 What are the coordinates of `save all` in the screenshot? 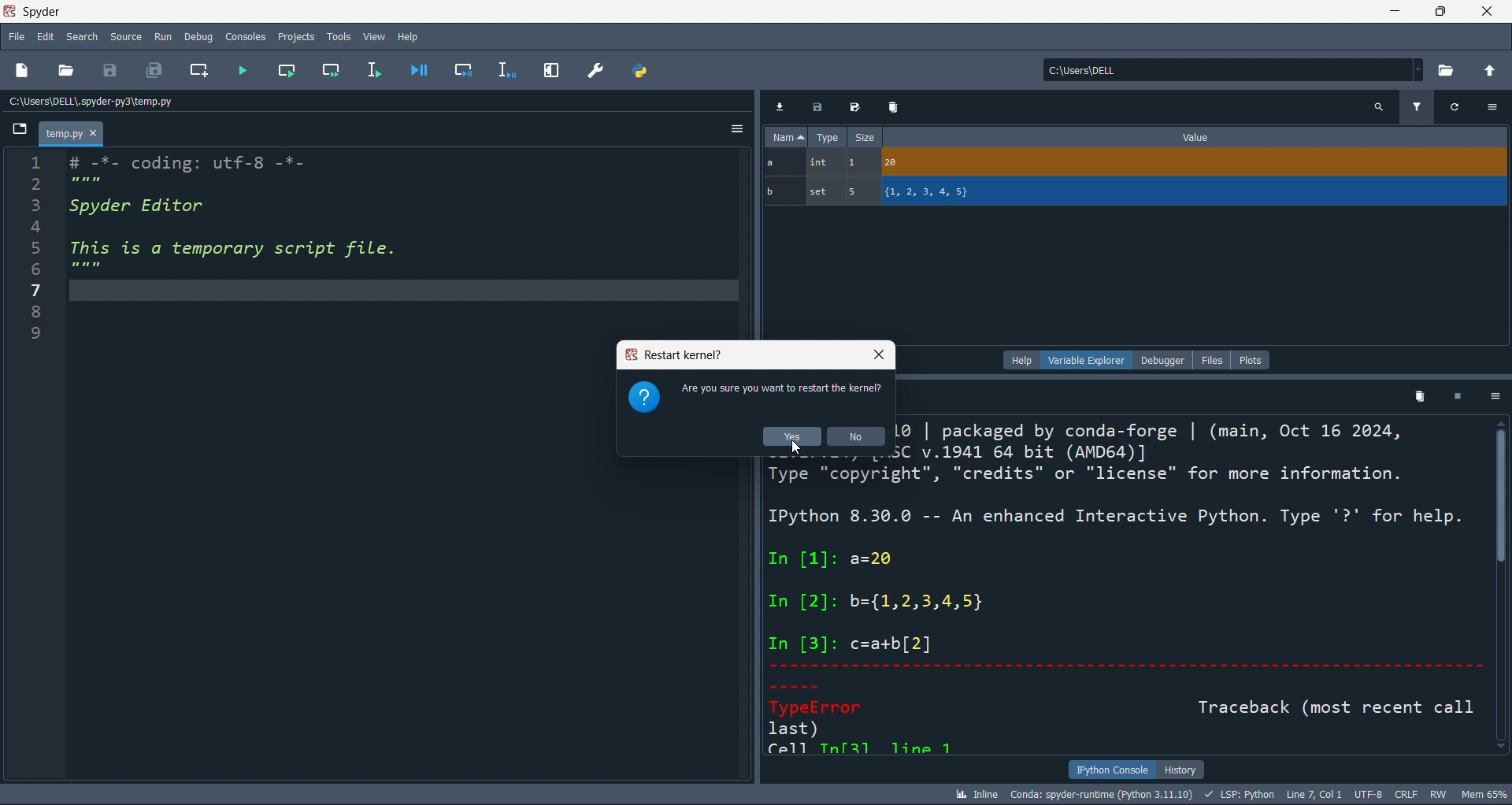 It's located at (156, 70).